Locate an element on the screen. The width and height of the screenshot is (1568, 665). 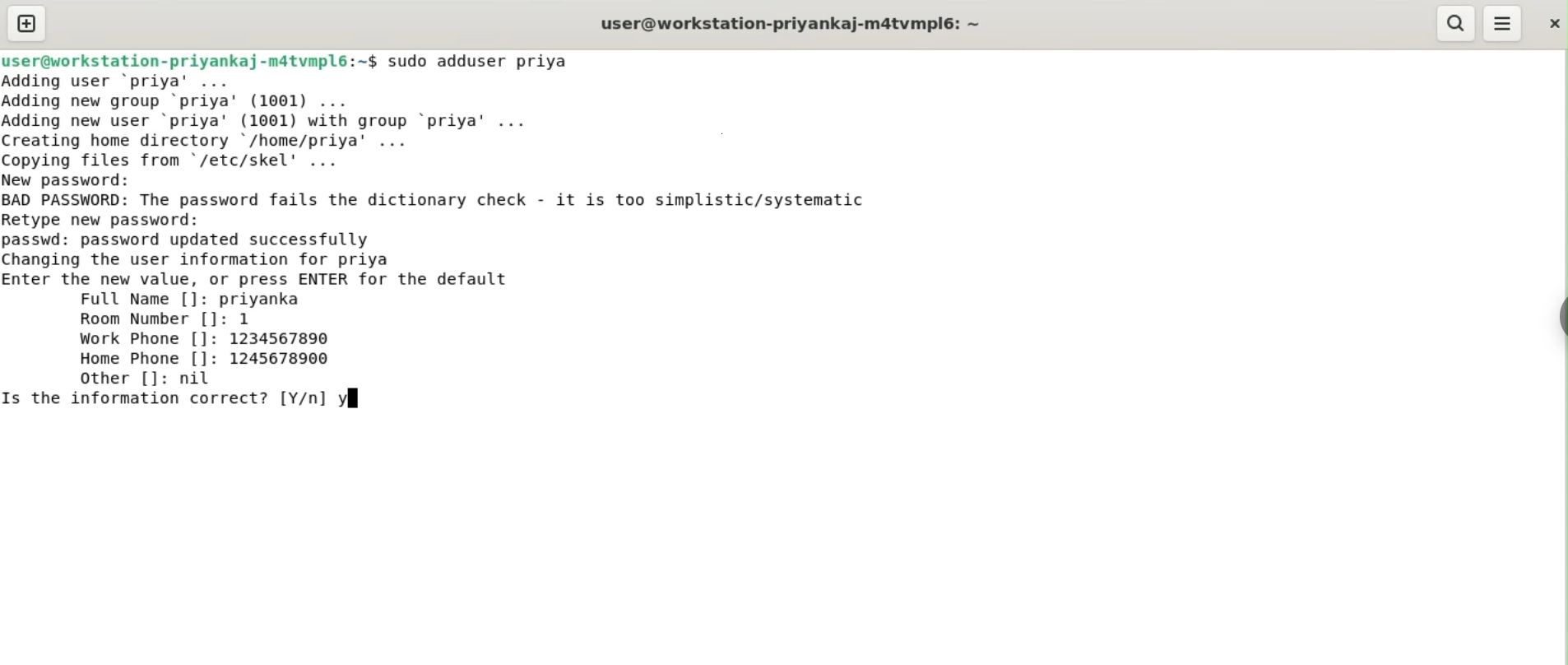
y is located at coordinates (349, 398).